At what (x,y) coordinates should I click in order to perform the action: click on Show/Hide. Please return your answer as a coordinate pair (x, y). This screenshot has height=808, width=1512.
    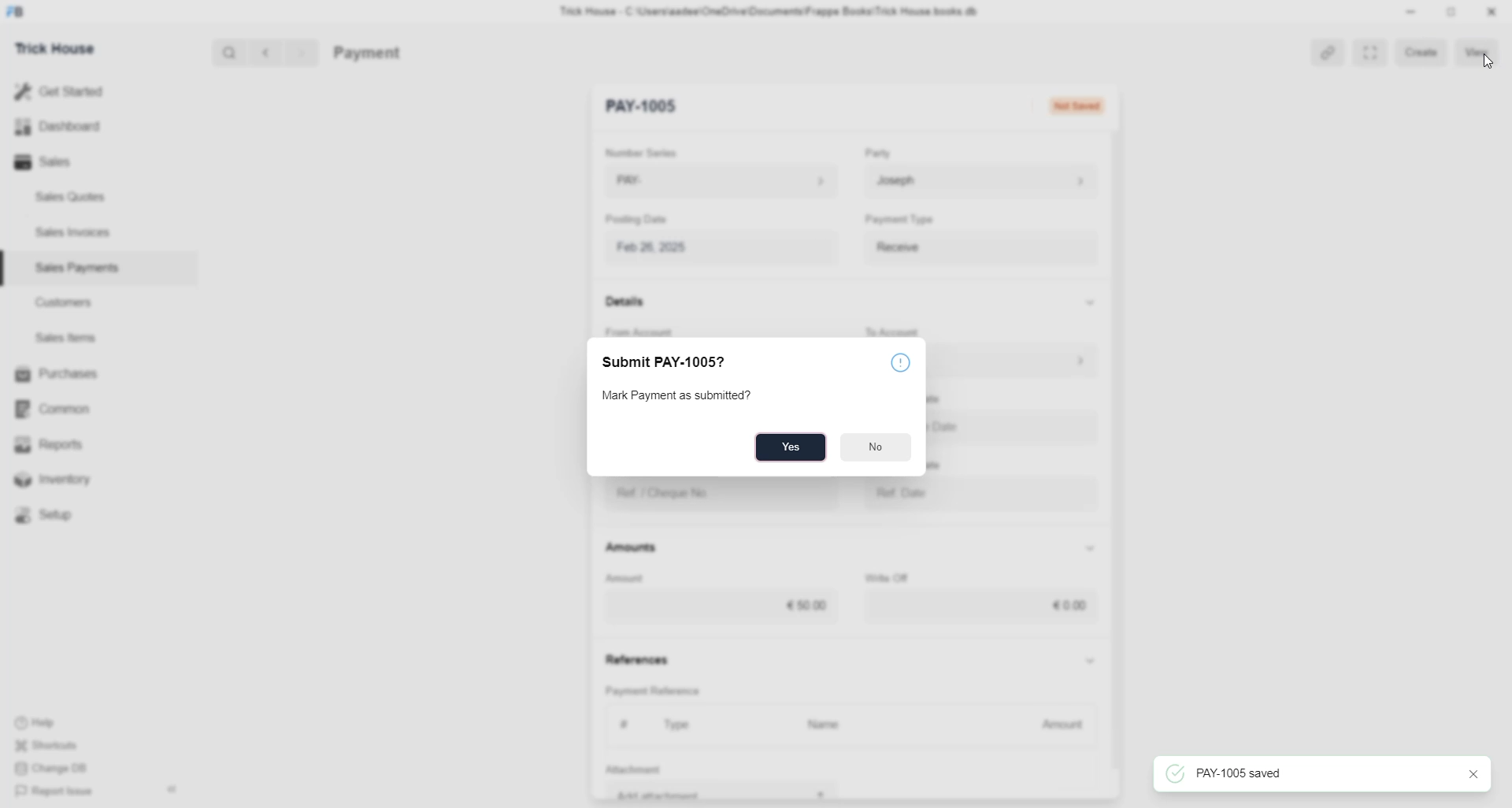
    Looking at the image, I should click on (1091, 302).